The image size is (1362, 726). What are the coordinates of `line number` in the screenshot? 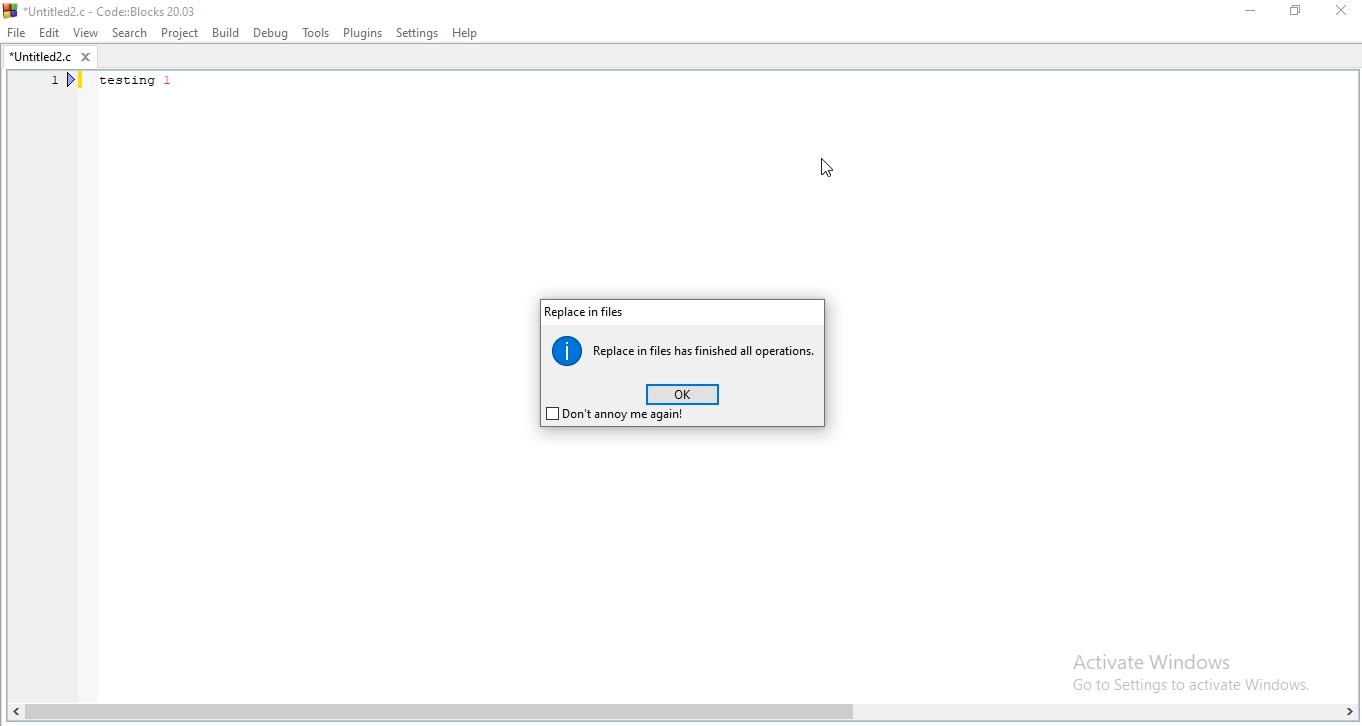 It's located at (65, 83).